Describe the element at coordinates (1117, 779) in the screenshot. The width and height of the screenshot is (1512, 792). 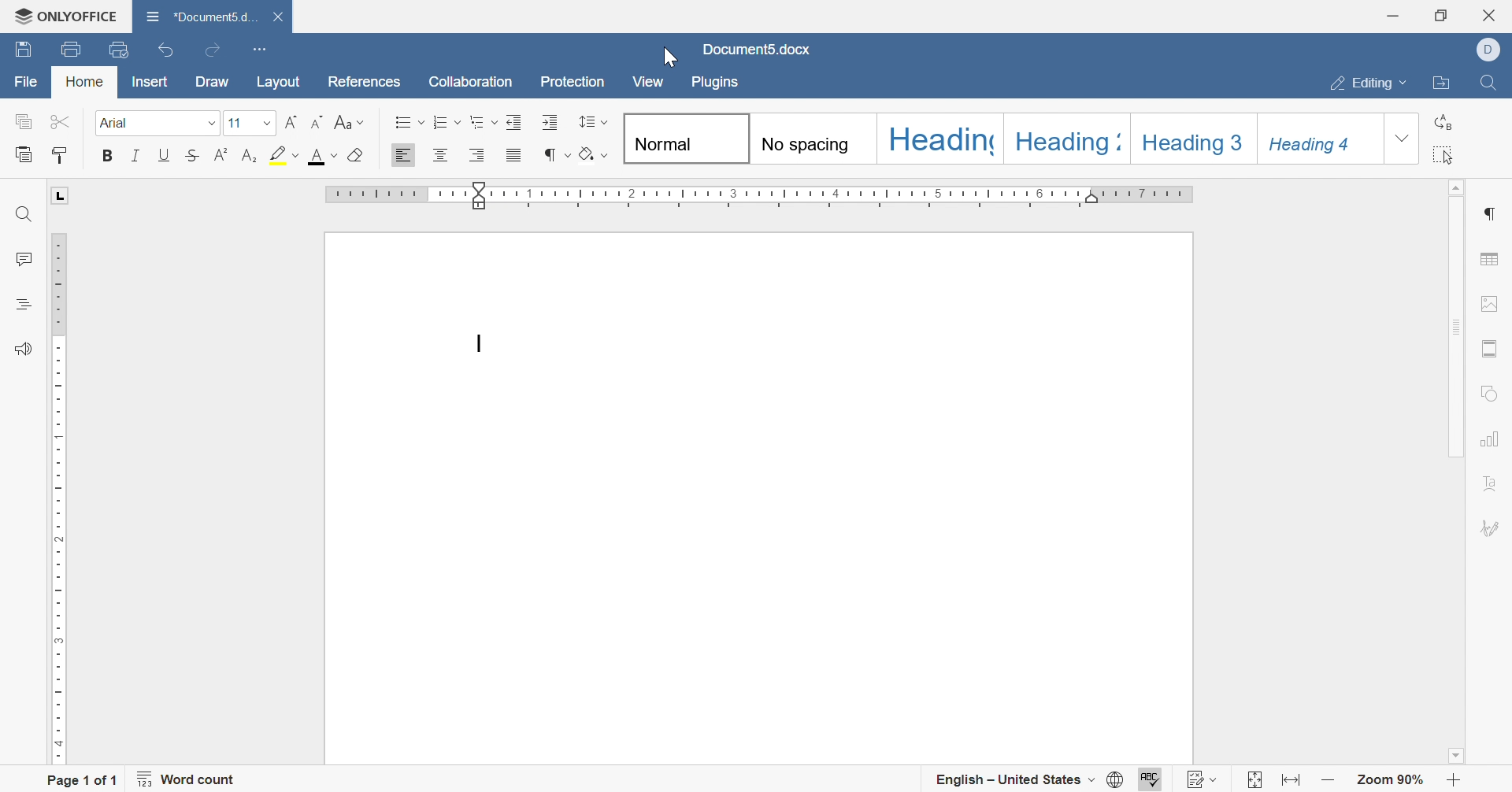
I see `set document language` at that location.